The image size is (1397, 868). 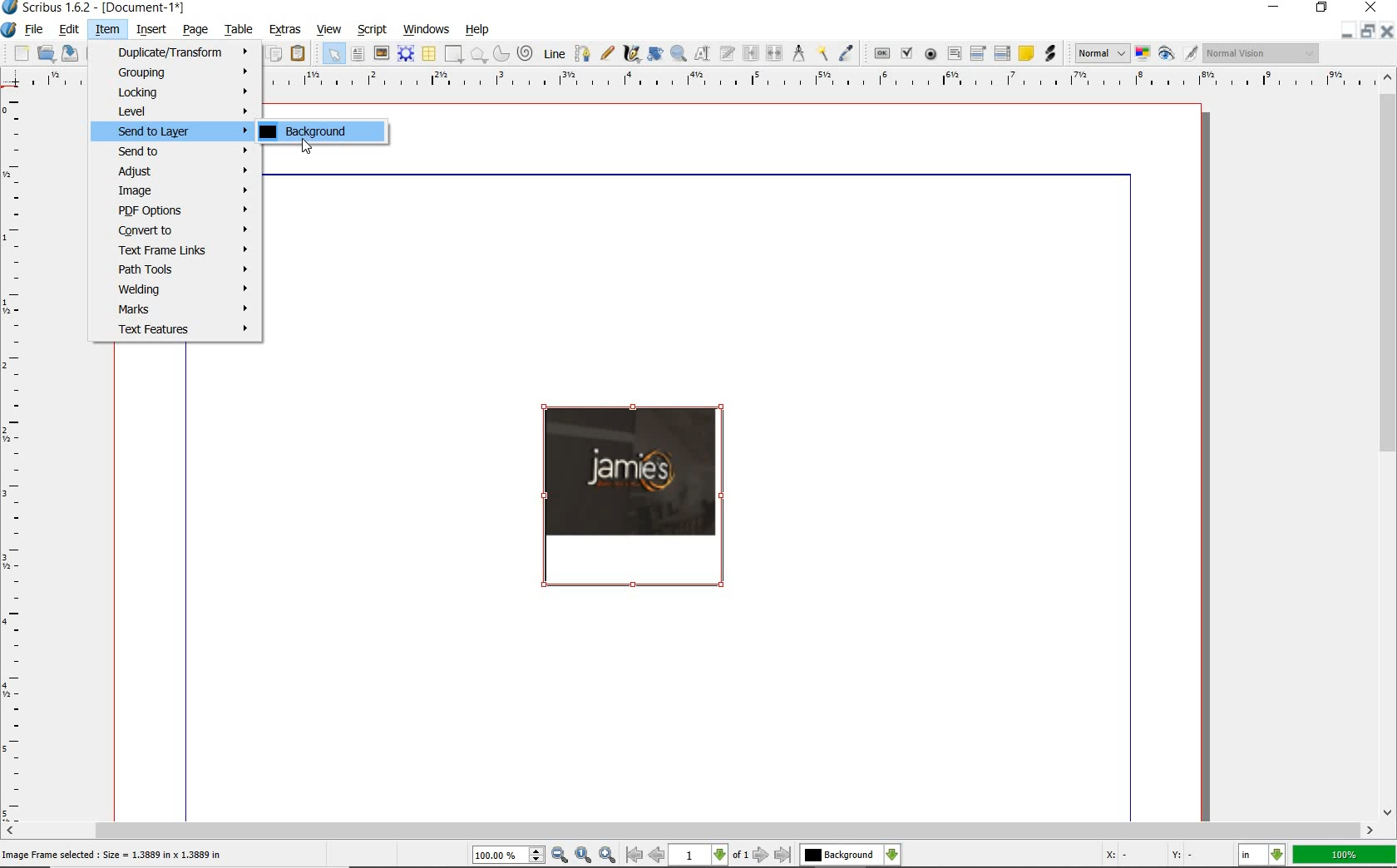 What do you see at coordinates (178, 330) in the screenshot?
I see `Text Features` at bounding box center [178, 330].